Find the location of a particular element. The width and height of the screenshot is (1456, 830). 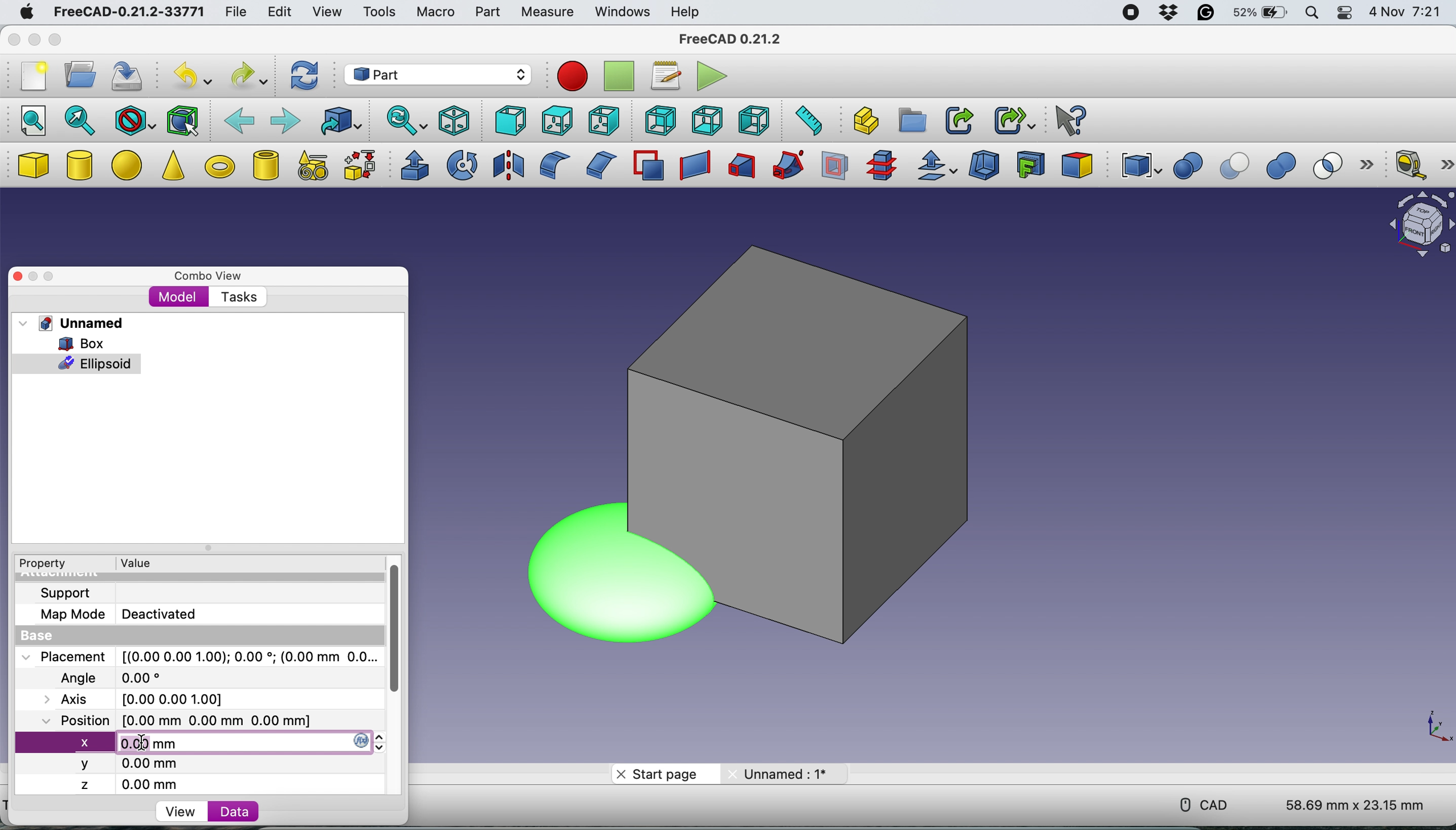

backward is located at coordinates (239, 119).